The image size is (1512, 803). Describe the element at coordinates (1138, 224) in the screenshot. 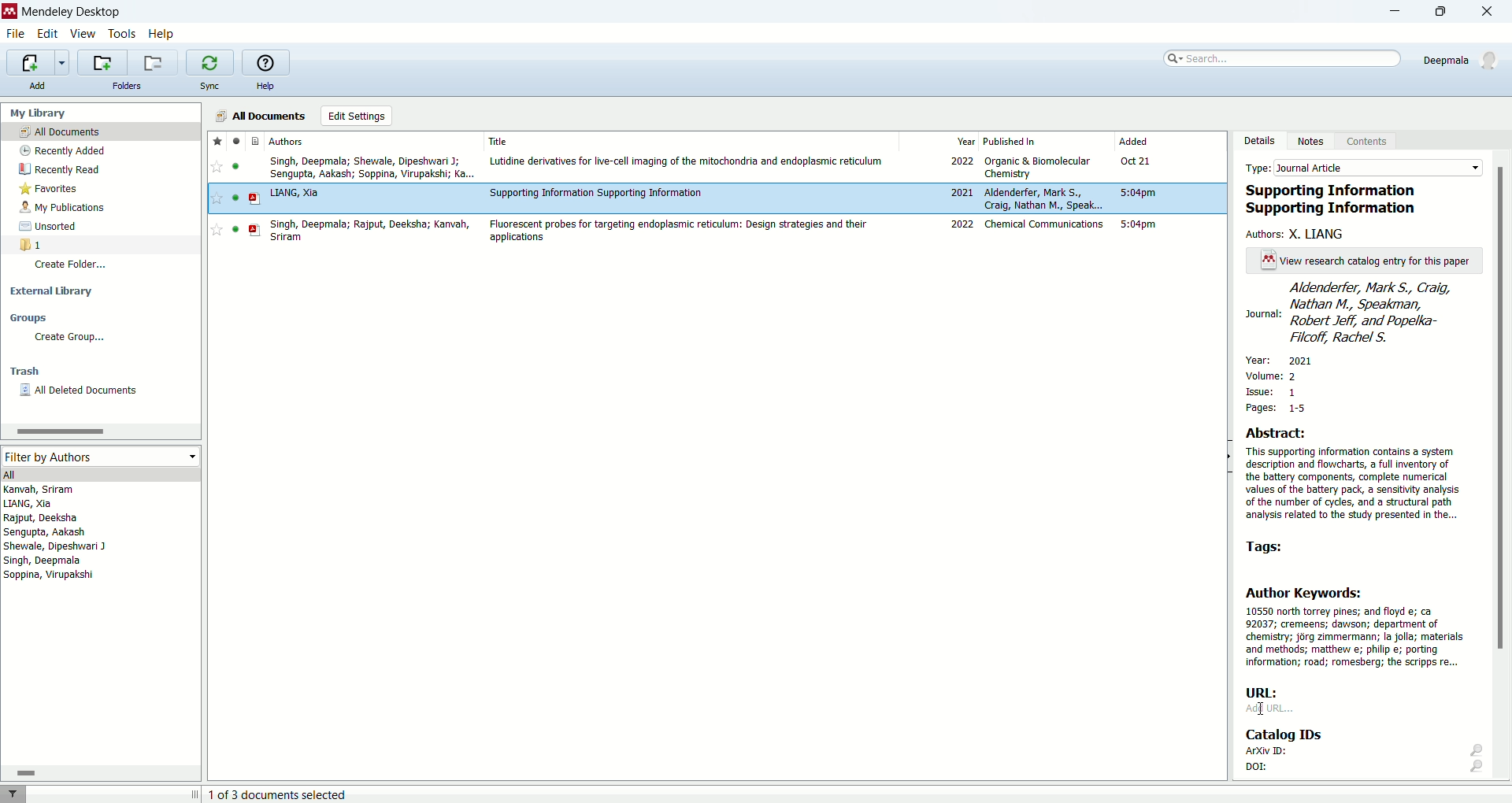

I see `5:04pm` at that location.